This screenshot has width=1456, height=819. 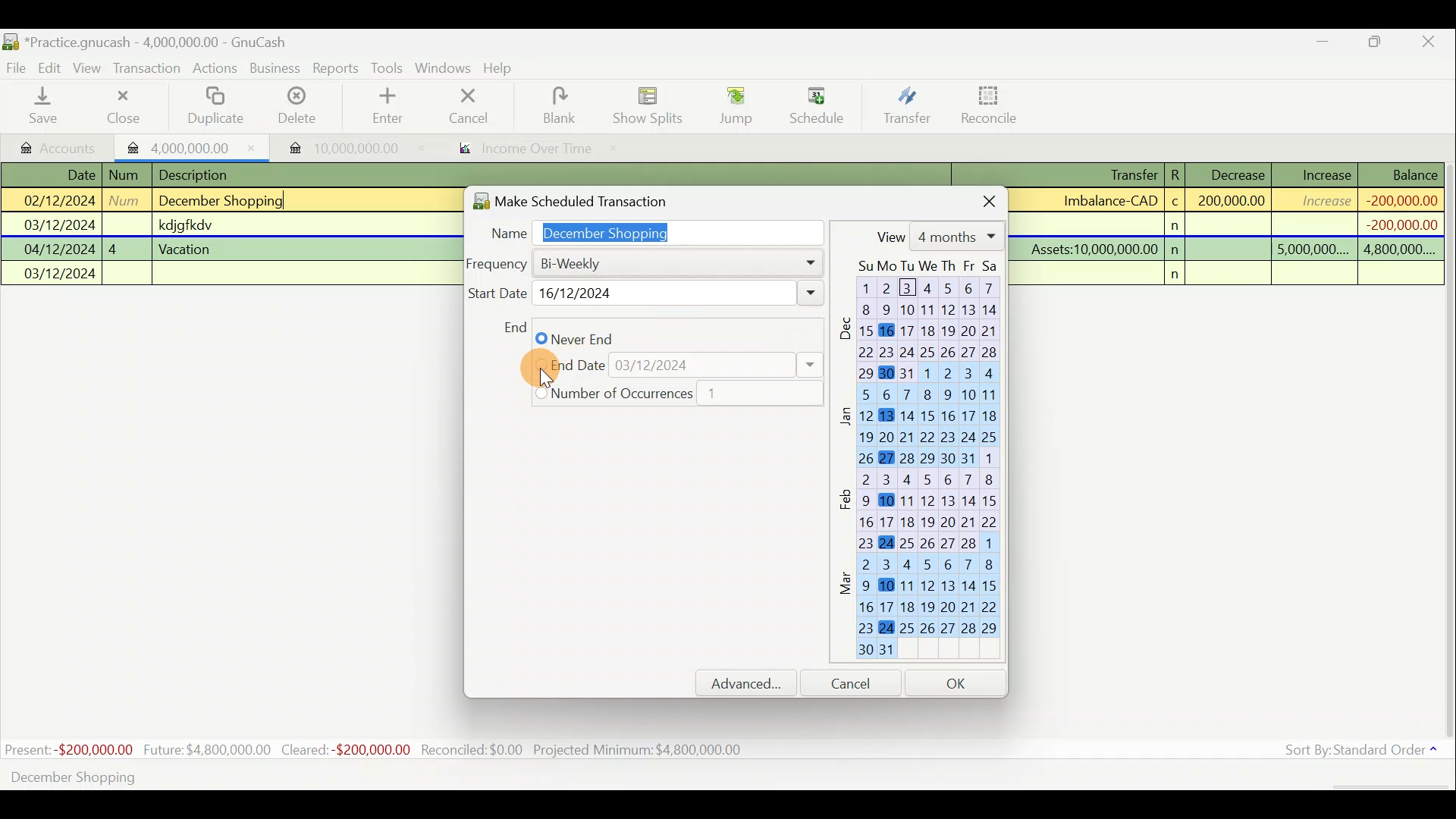 What do you see at coordinates (858, 682) in the screenshot?
I see `Cancel` at bounding box center [858, 682].